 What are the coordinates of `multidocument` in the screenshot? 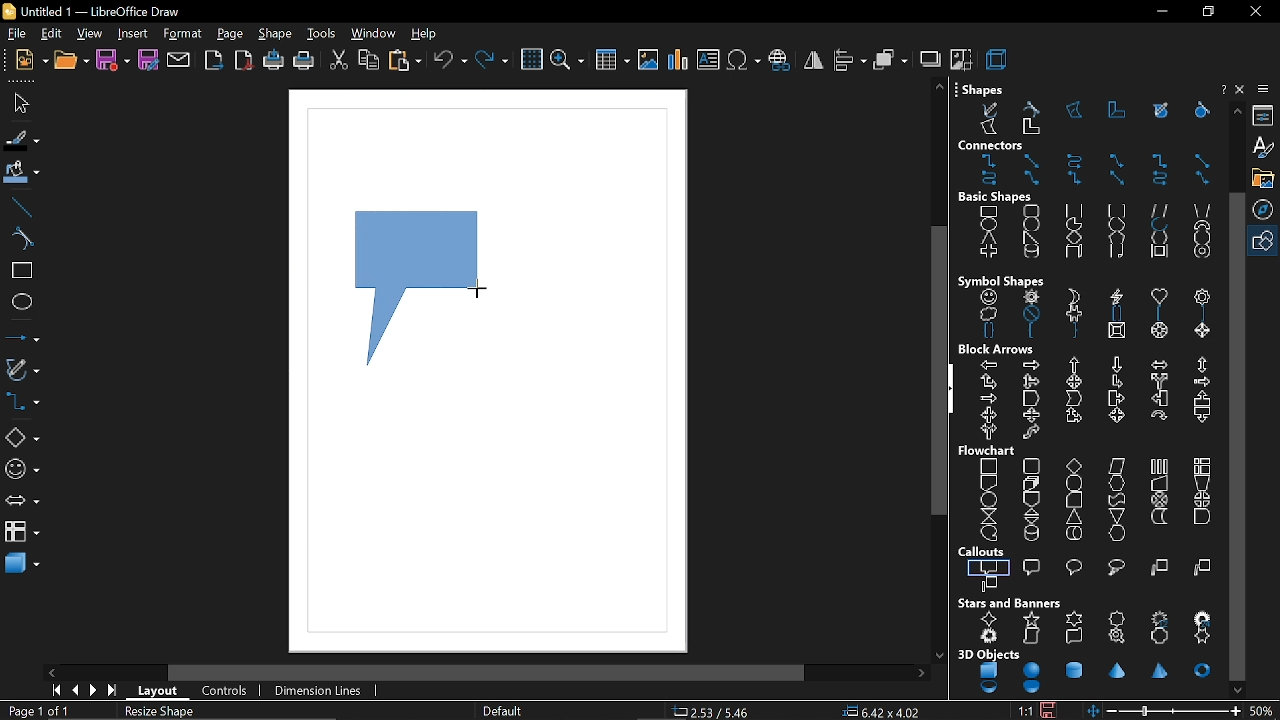 It's located at (1030, 482).